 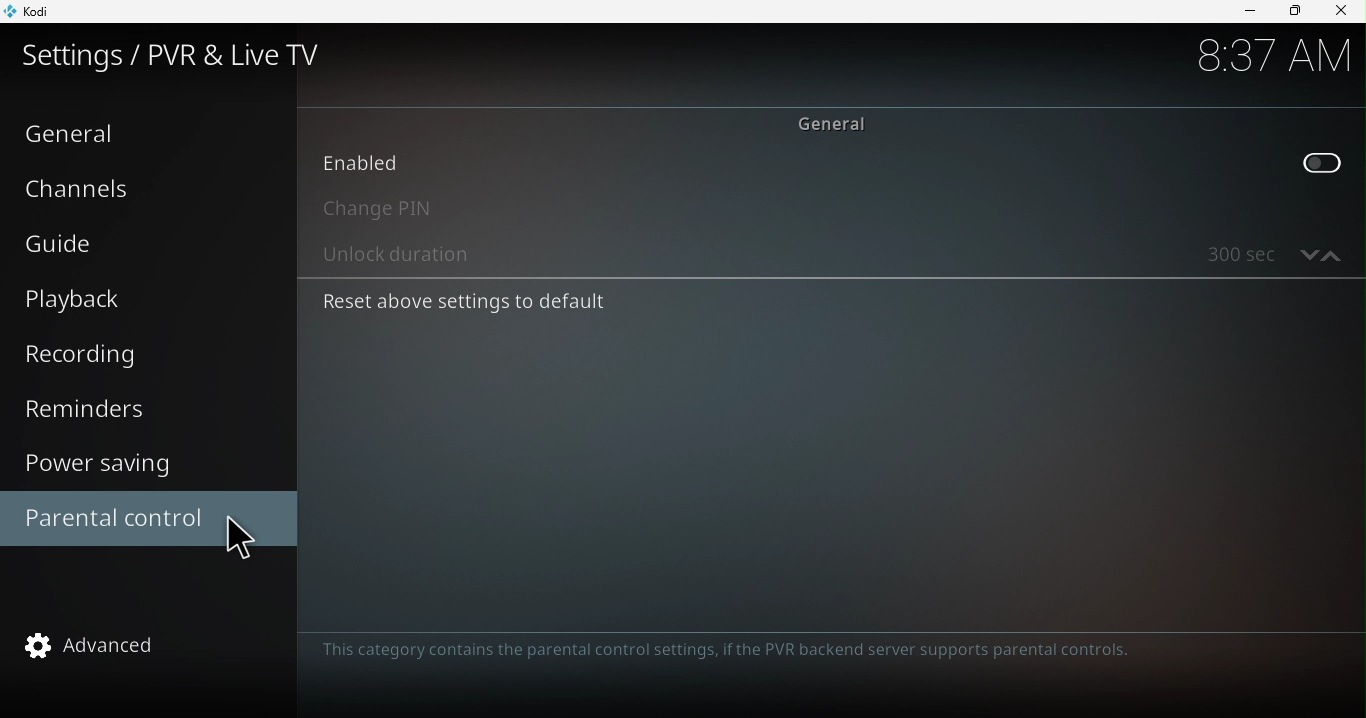 What do you see at coordinates (1257, 60) in the screenshot?
I see `Time` at bounding box center [1257, 60].